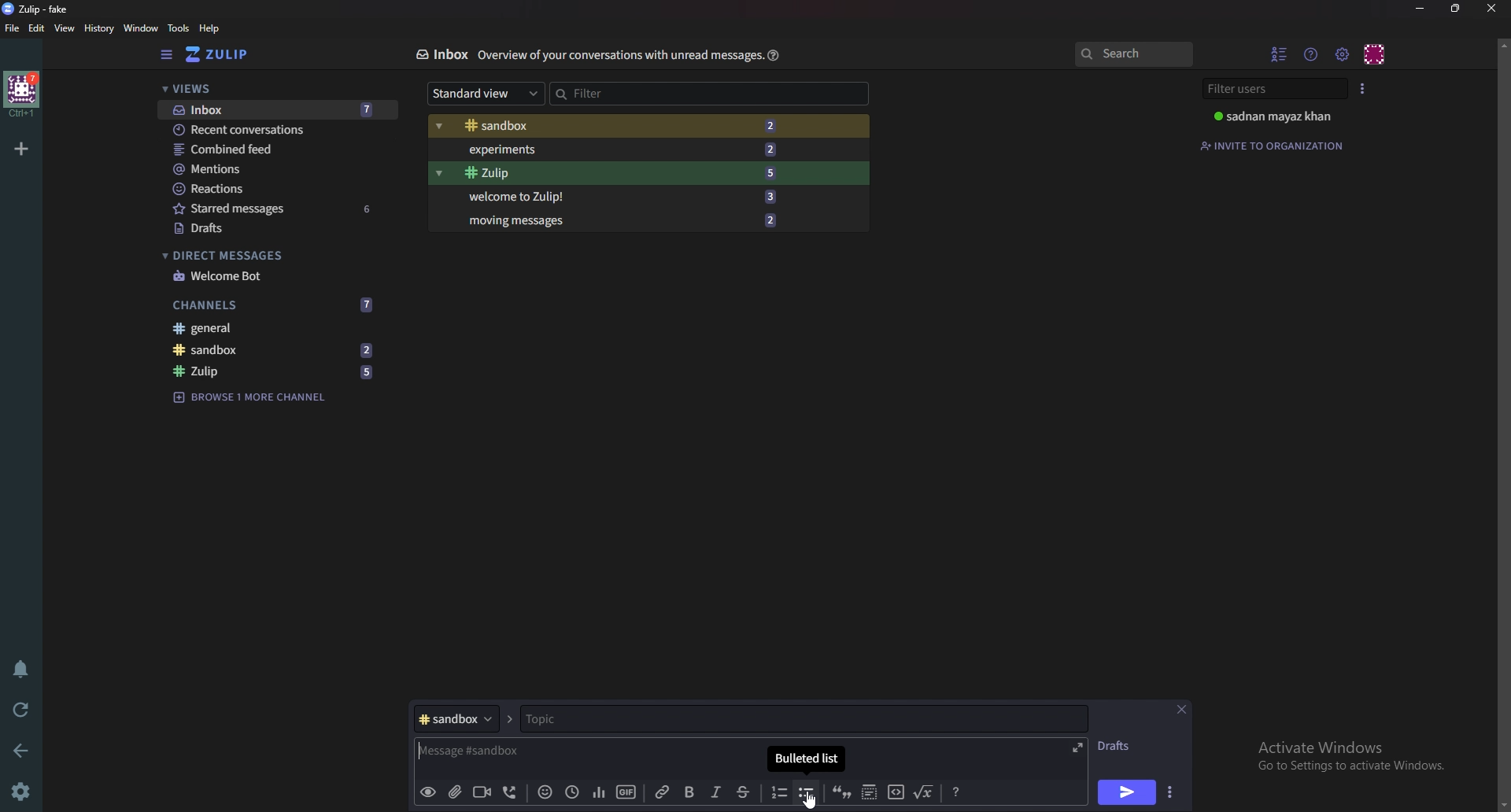 The image size is (1511, 812). What do you see at coordinates (23, 94) in the screenshot?
I see `Home` at bounding box center [23, 94].